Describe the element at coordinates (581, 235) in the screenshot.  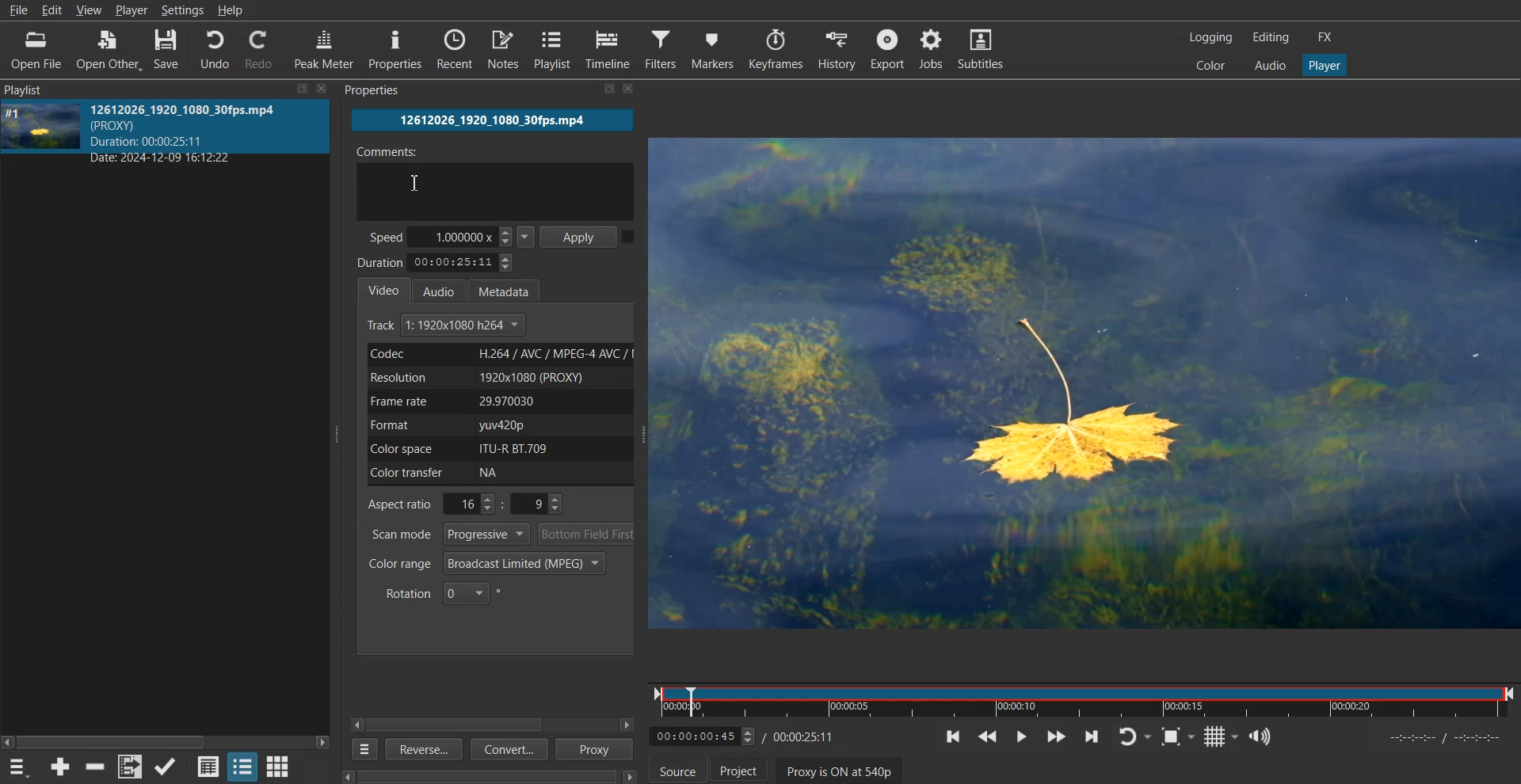
I see `Apply` at that location.